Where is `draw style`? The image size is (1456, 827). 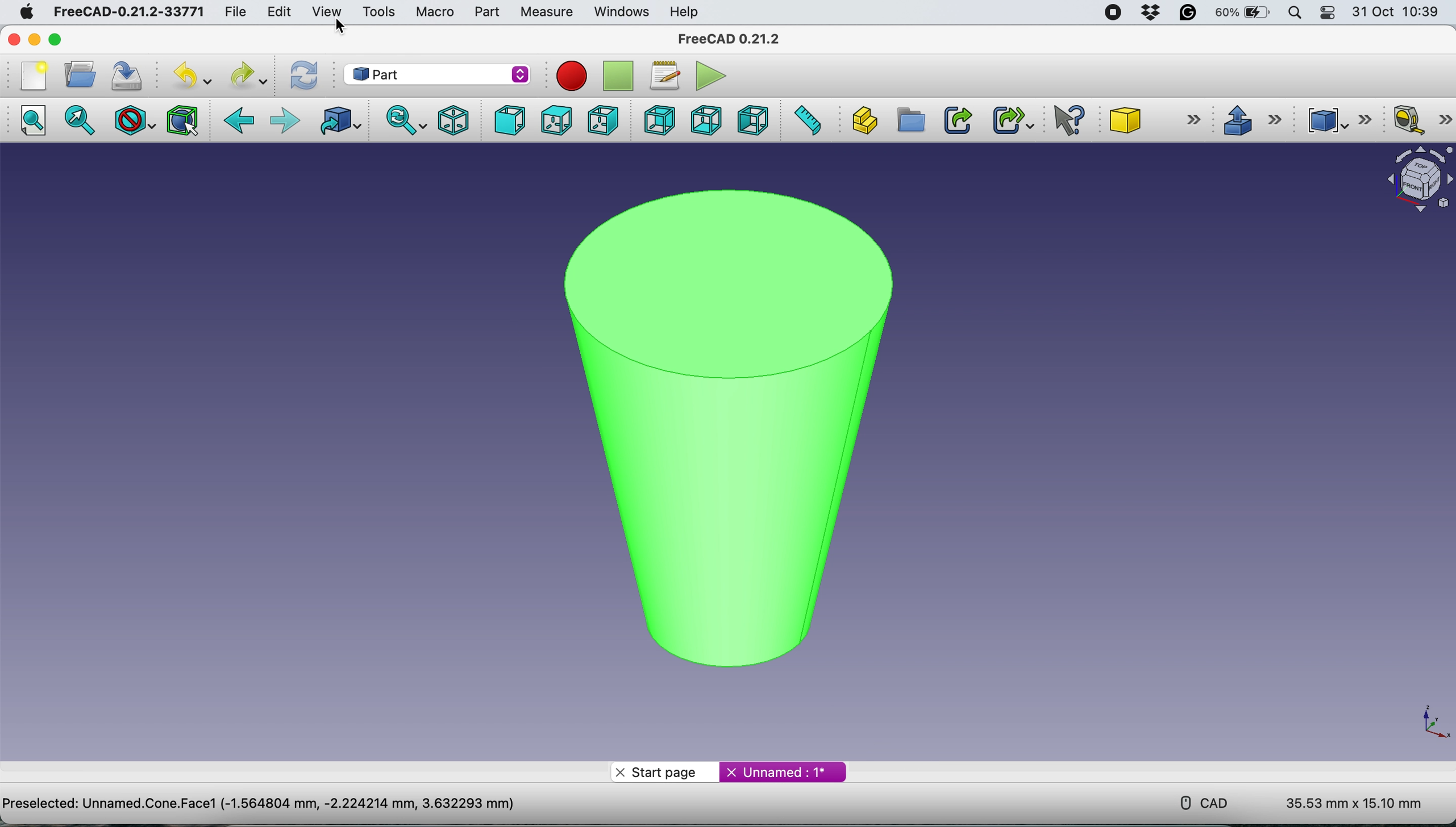
draw style is located at coordinates (132, 120).